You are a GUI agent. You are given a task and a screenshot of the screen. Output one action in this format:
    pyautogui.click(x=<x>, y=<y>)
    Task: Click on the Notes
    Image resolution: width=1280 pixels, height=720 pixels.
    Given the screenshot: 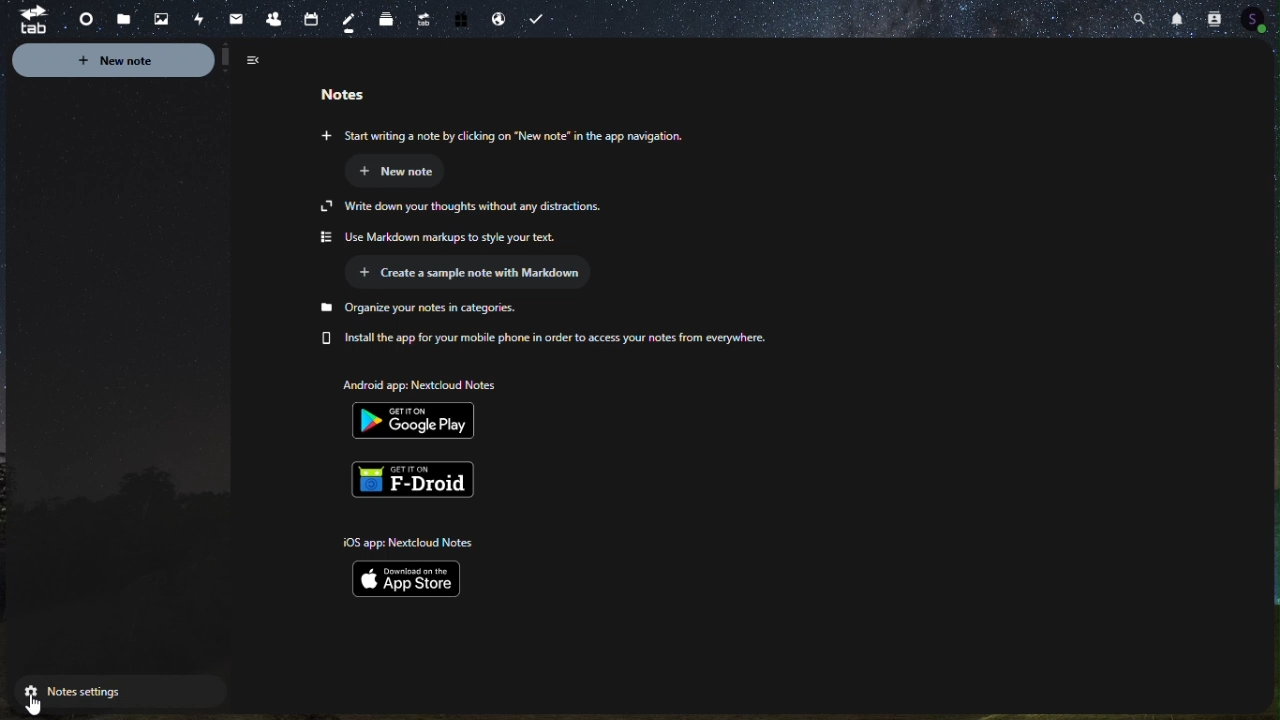 What is the action you would take?
    pyautogui.click(x=341, y=91)
    